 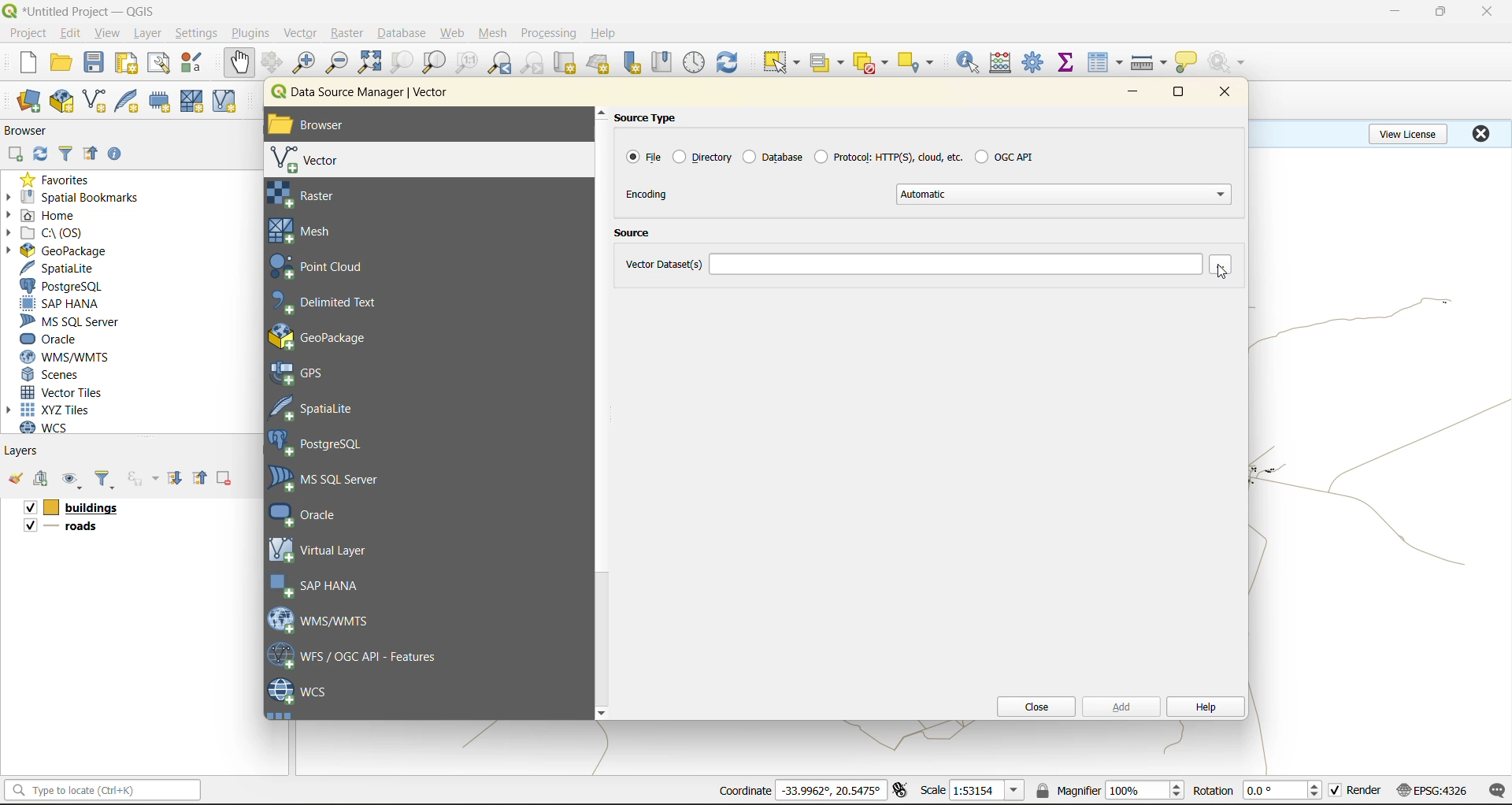 What do you see at coordinates (1180, 95) in the screenshot?
I see `maximize` at bounding box center [1180, 95].